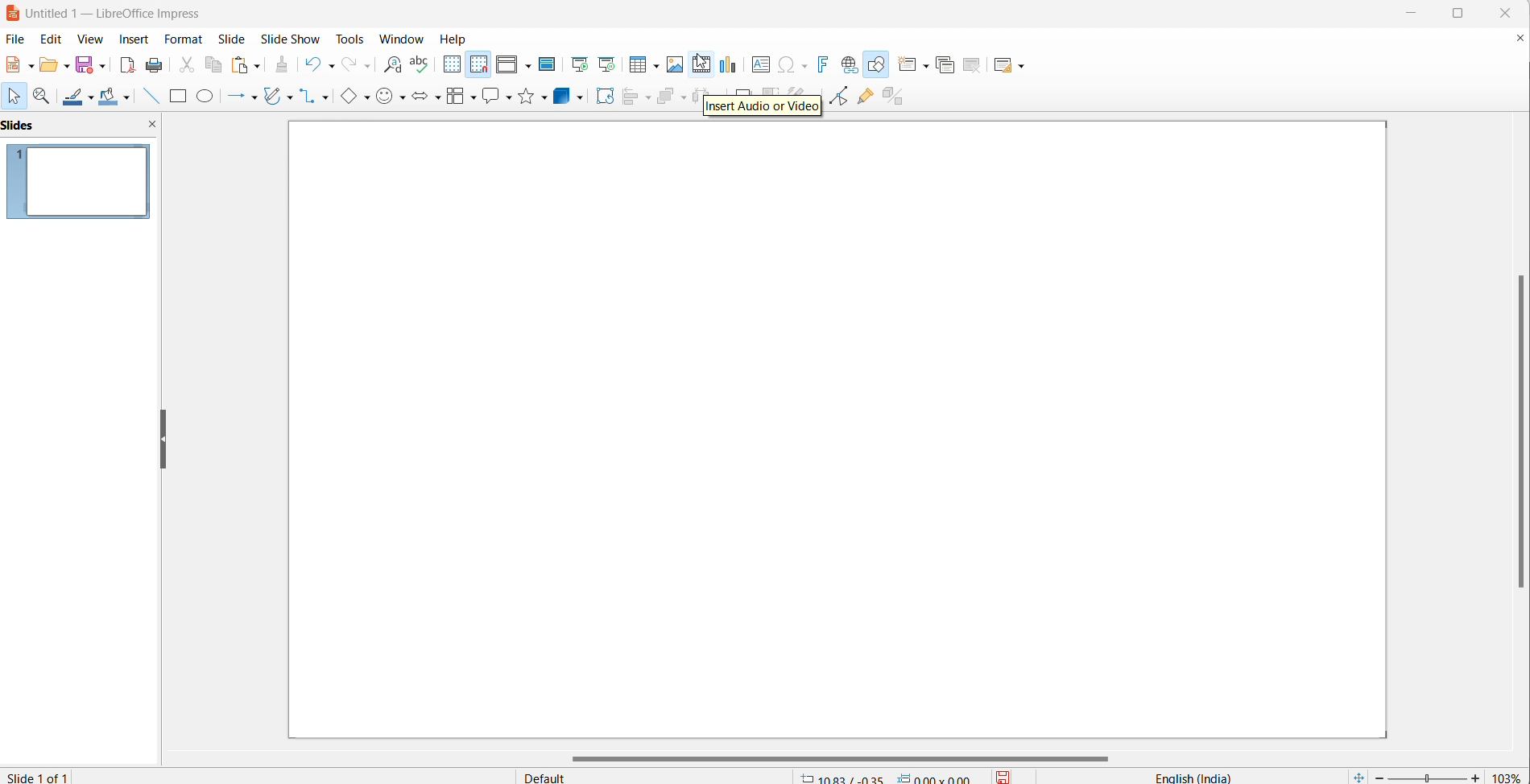  I want to click on duplicate slide, so click(949, 64).